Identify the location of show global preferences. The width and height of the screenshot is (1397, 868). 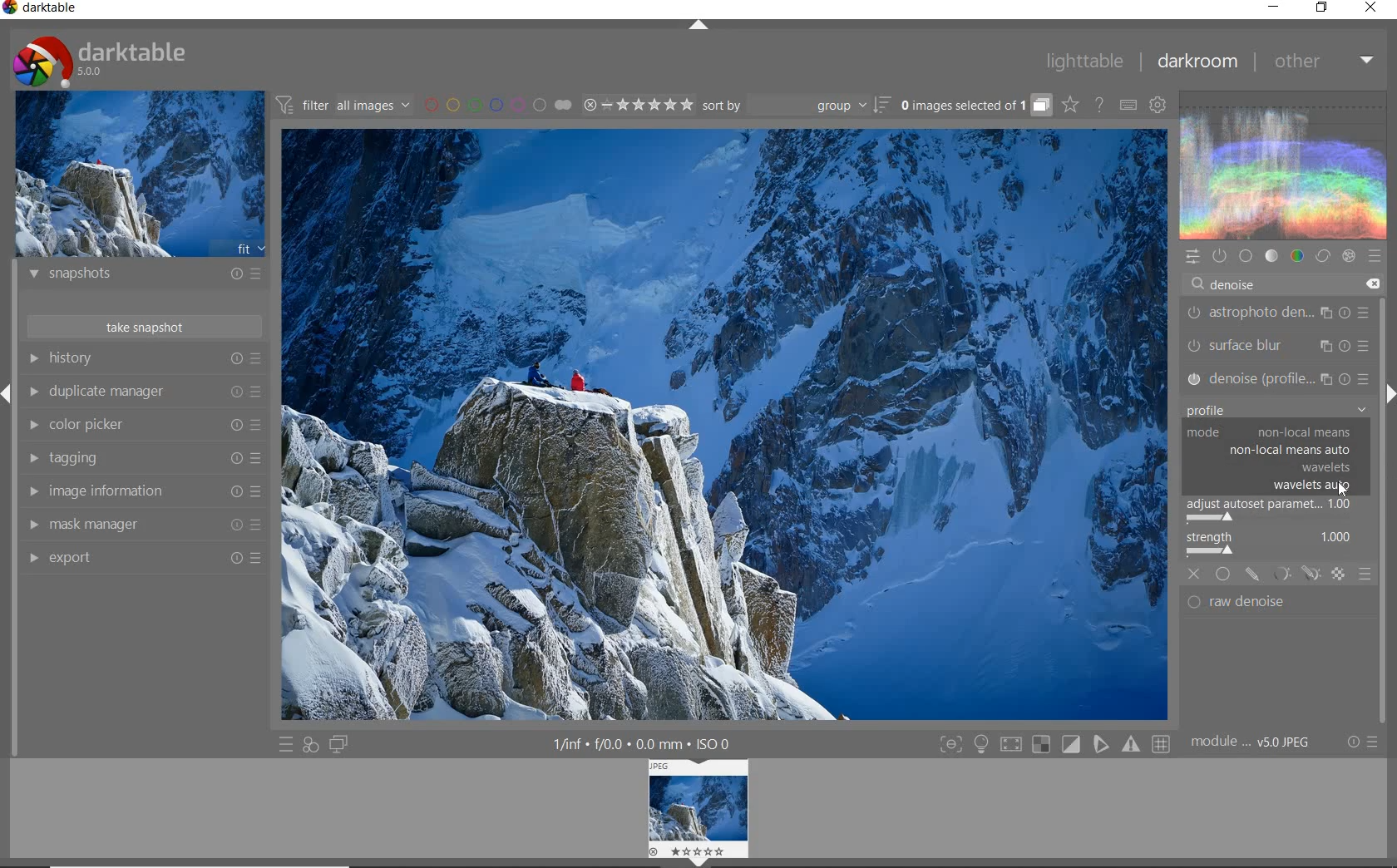
(1158, 104).